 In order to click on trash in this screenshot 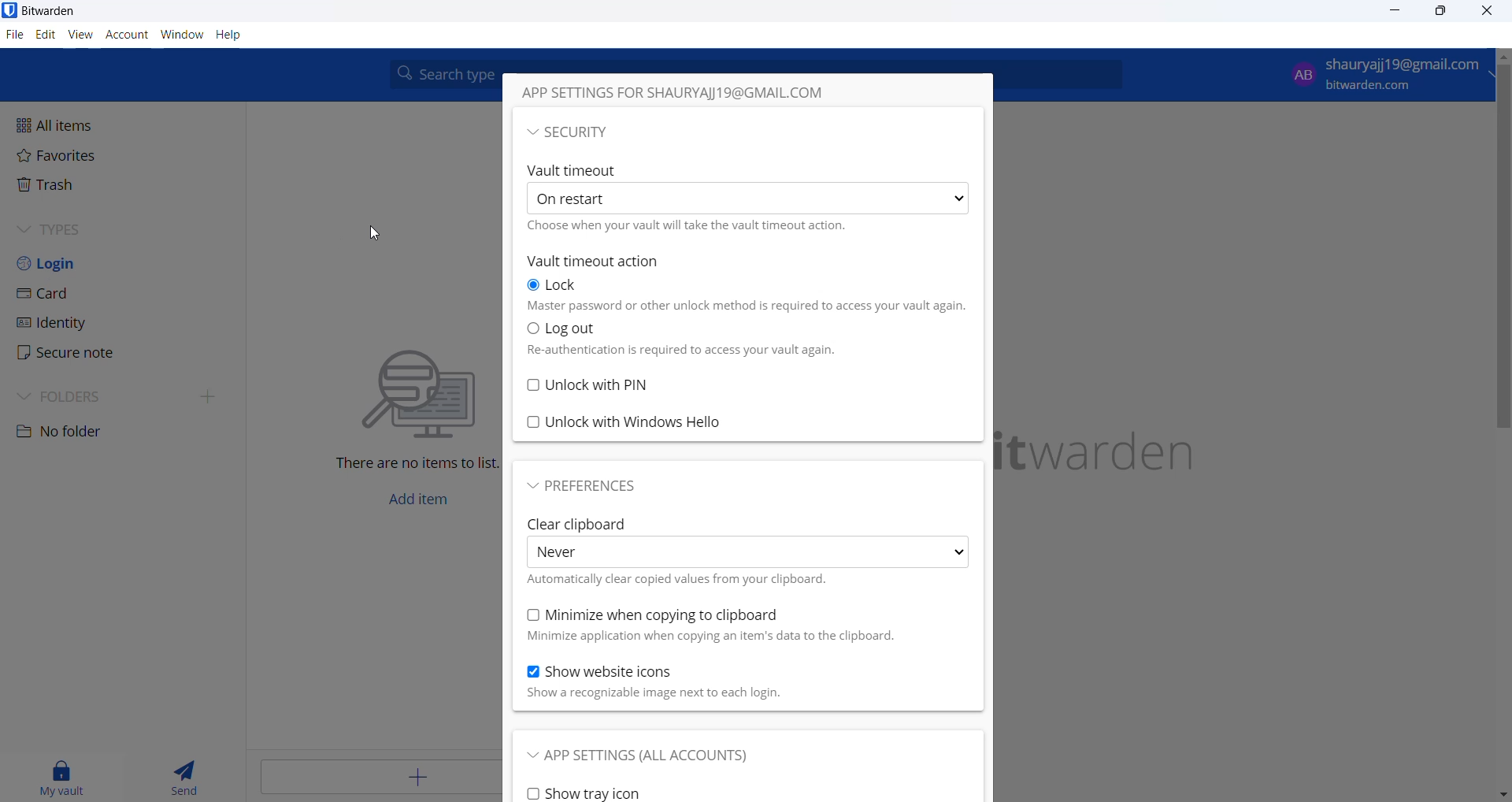, I will do `click(143, 185)`.